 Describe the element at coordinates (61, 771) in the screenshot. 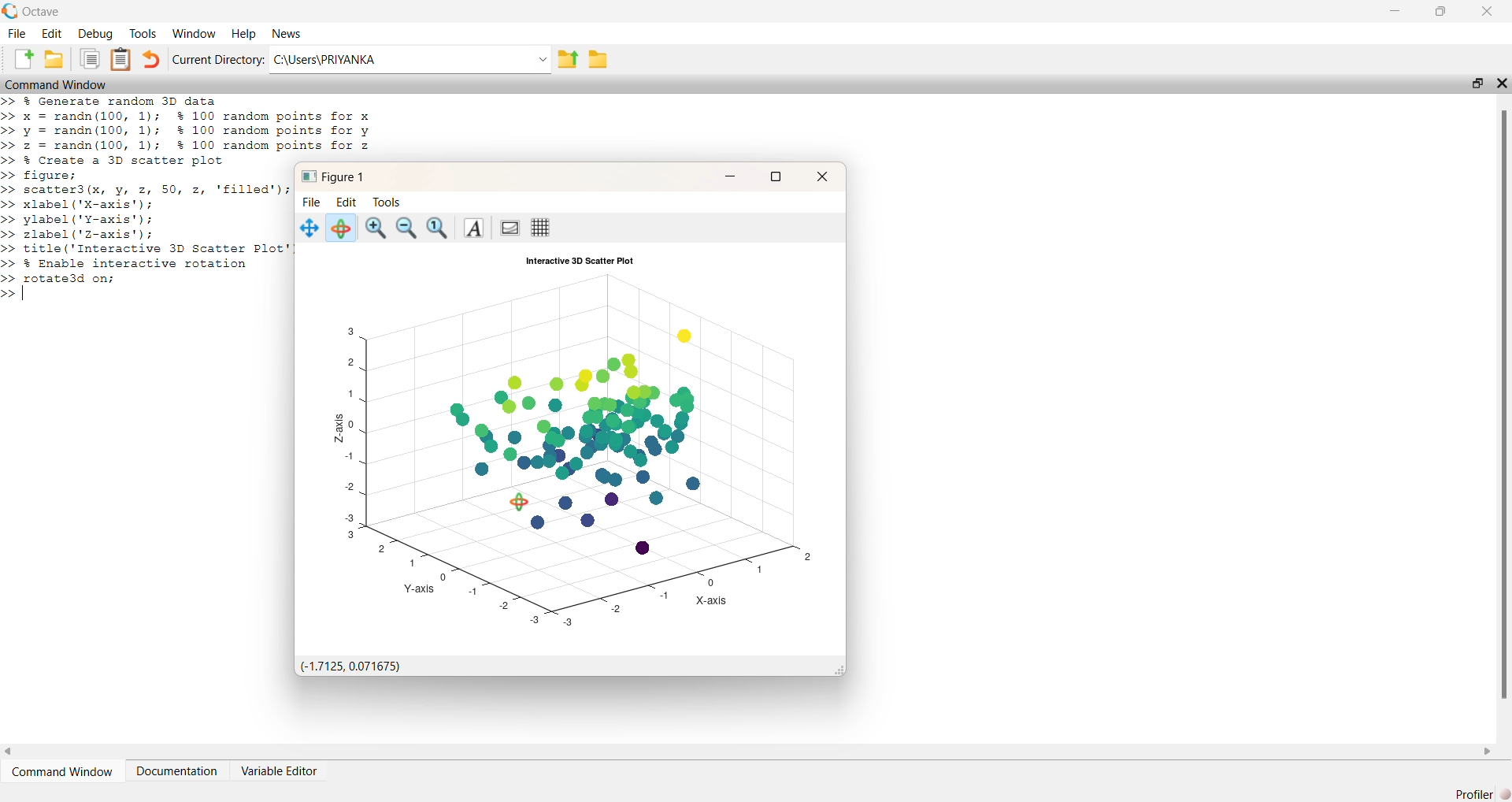

I see `Command Window` at that location.